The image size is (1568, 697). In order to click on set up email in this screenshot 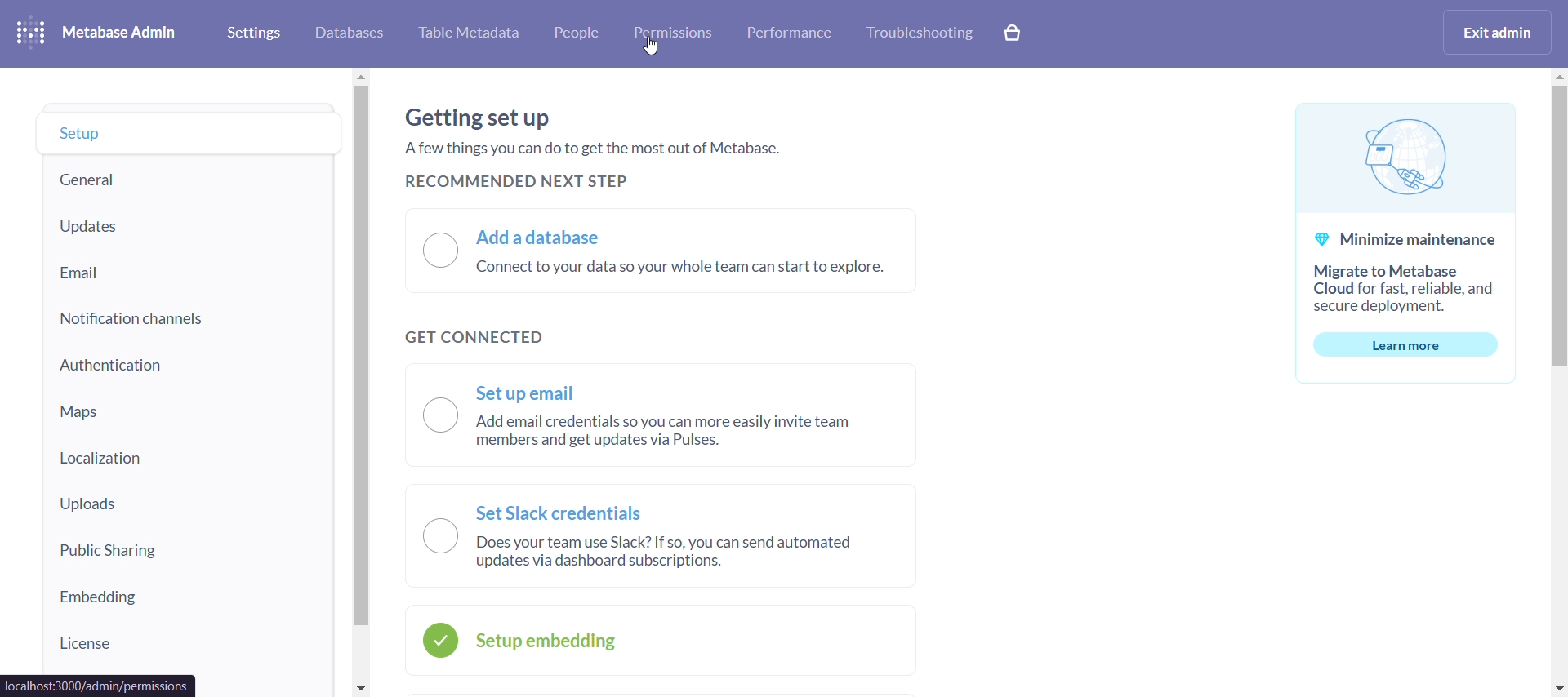, I will do `click(662, 415)`.